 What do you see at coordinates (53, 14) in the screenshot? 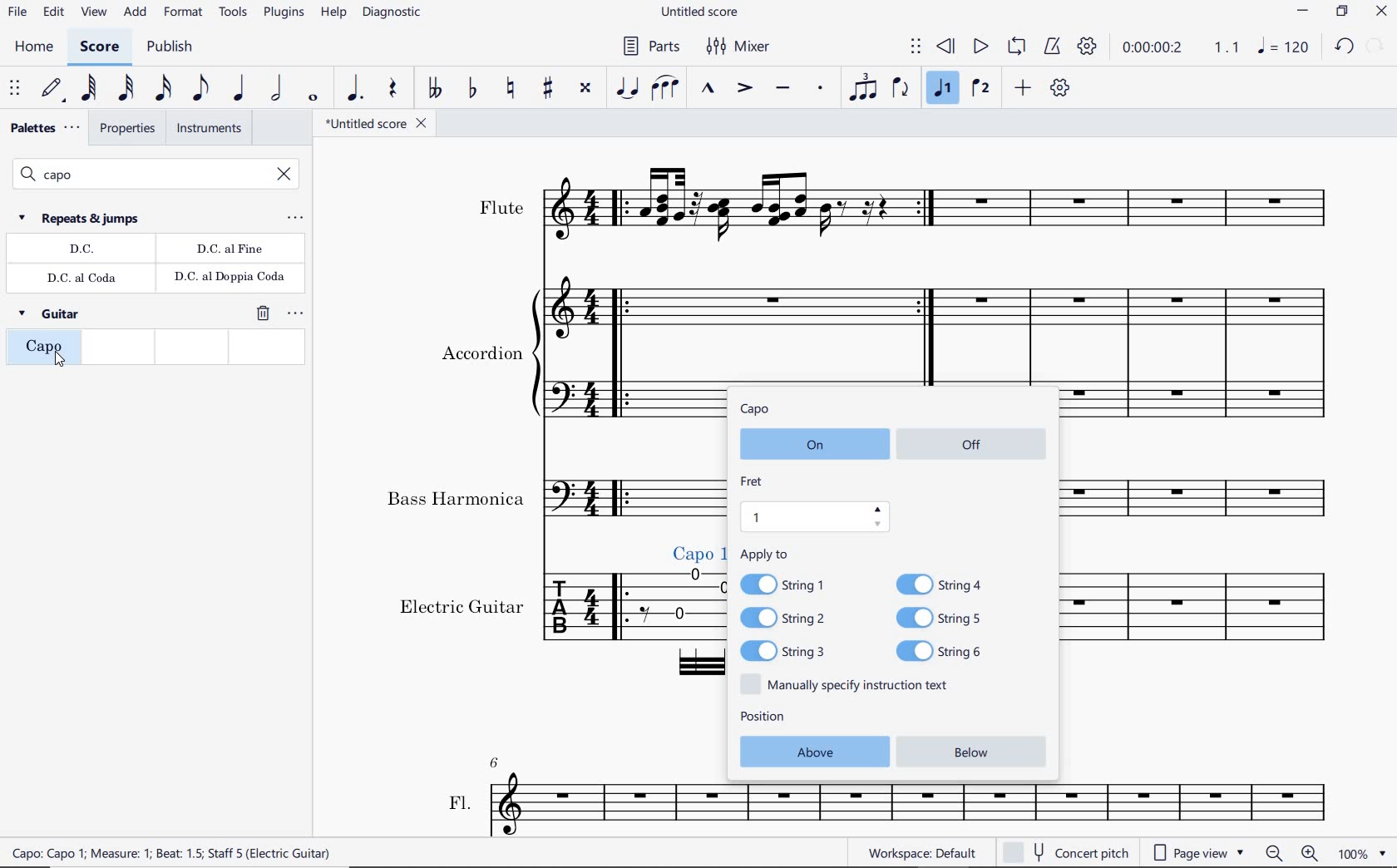
I see `edit` at bounding box center [53, 14].